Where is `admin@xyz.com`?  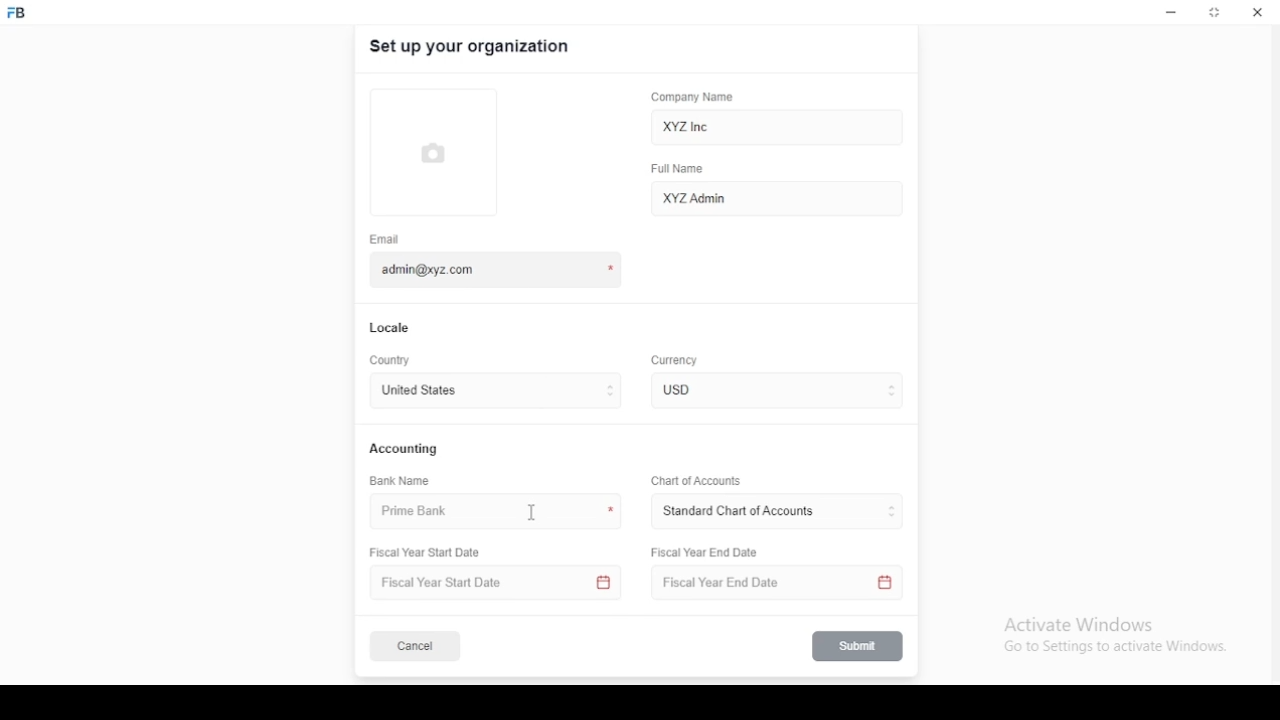 admin@xyz.com is located at coordinates (494, 267).